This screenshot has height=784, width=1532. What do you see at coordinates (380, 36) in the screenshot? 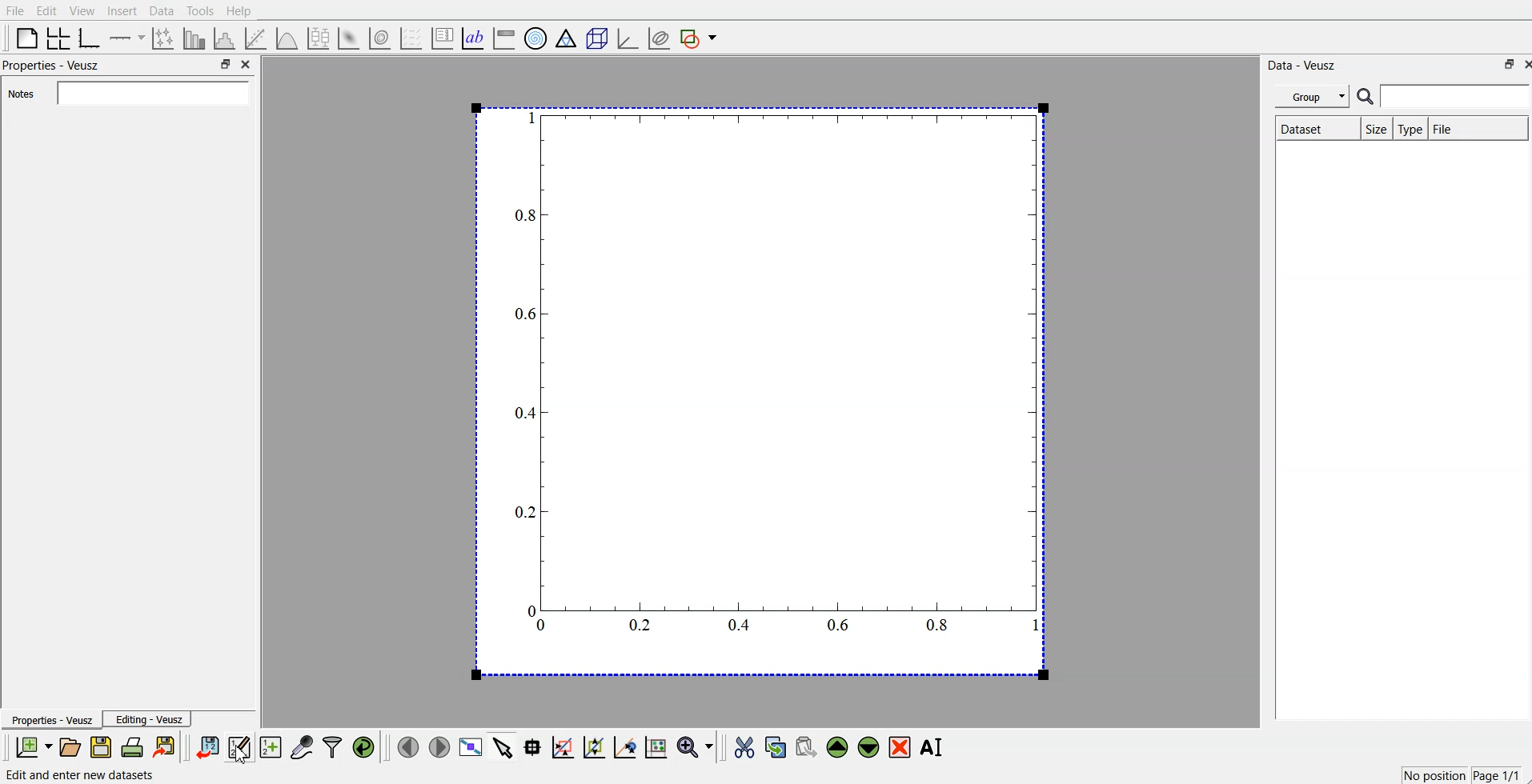
I see `plot 2d datasets as contours` at bounding box center [380, 36].